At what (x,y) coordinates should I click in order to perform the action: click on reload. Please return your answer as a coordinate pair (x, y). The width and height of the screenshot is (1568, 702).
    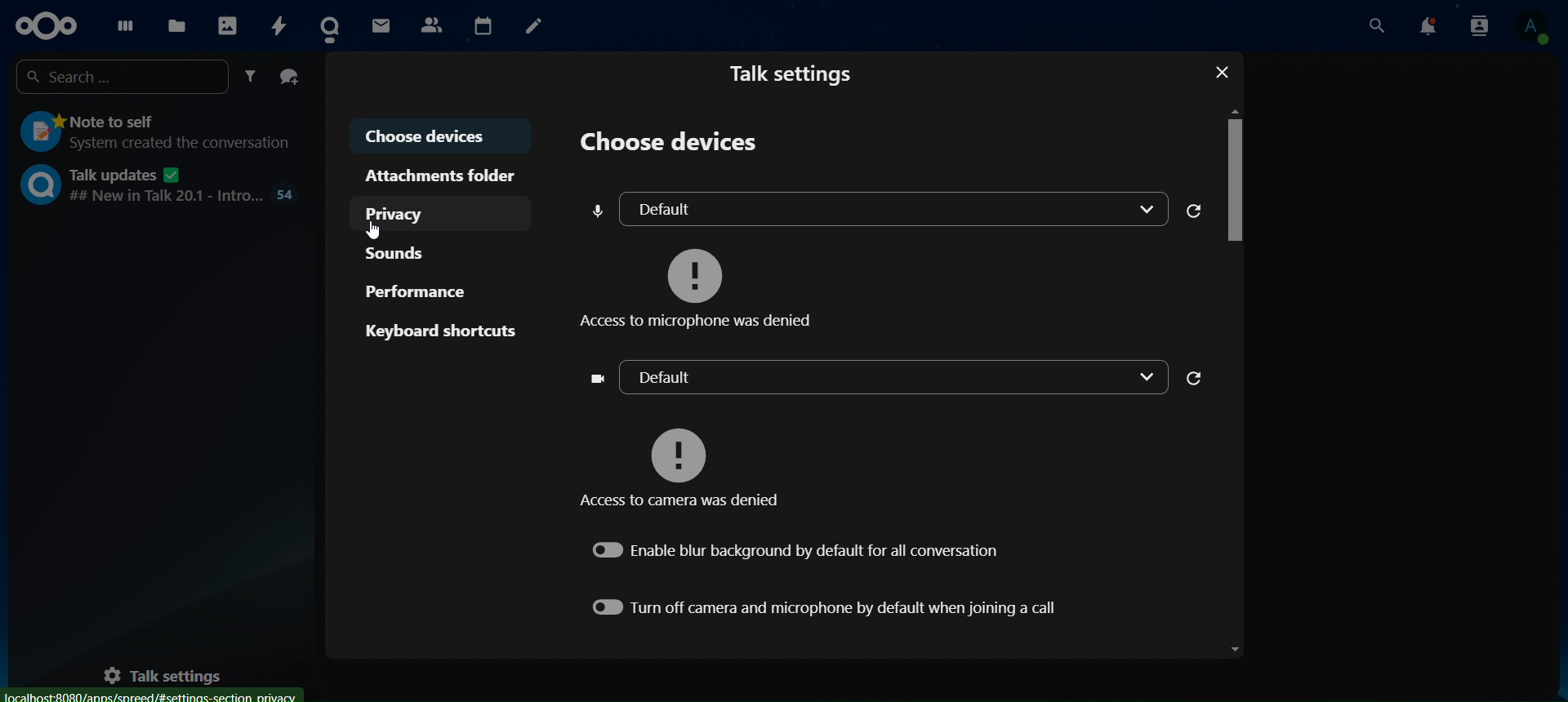
    Looking at the image, I should click on (1192, 380).